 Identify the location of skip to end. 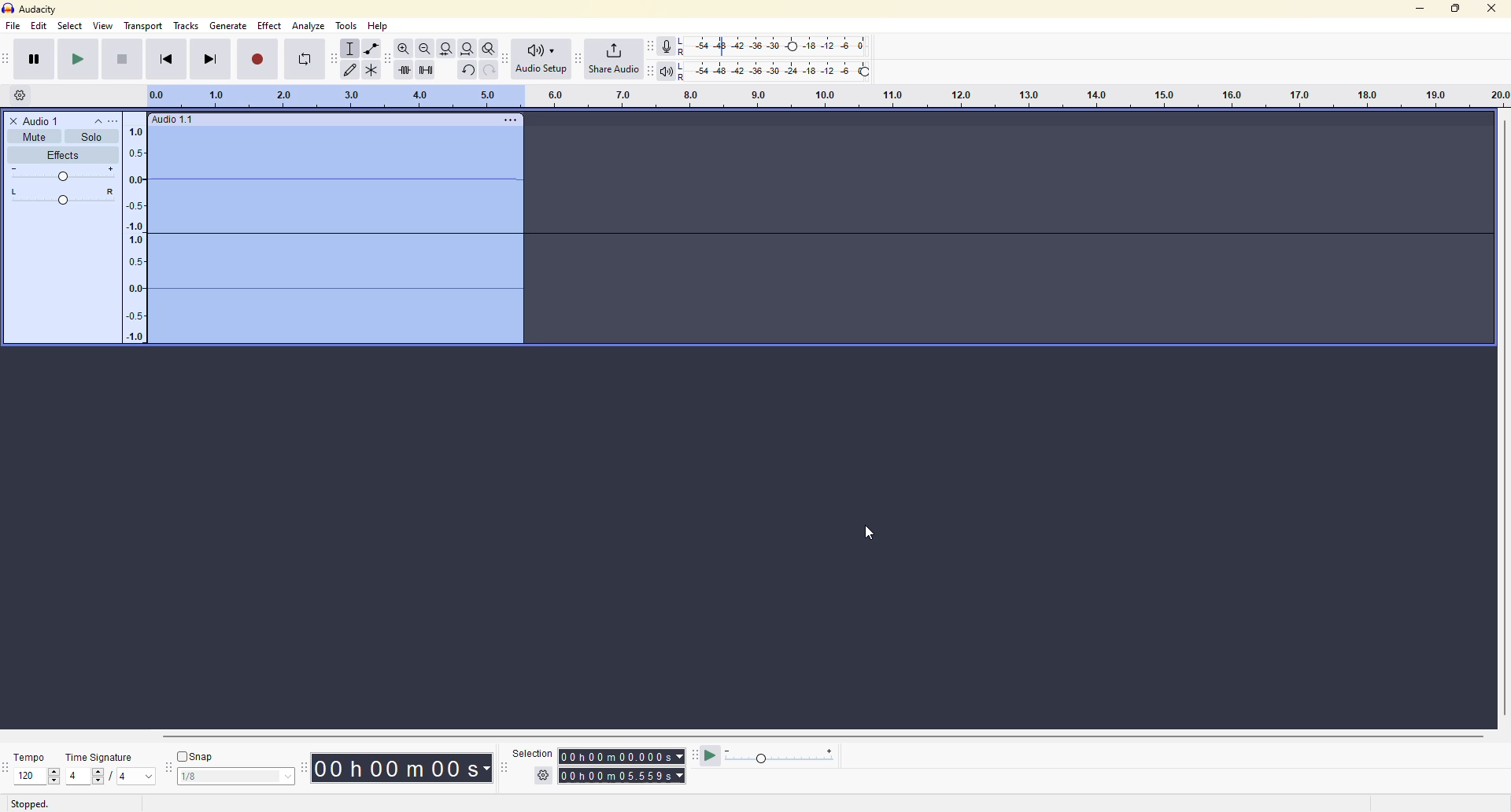
(212, 58).